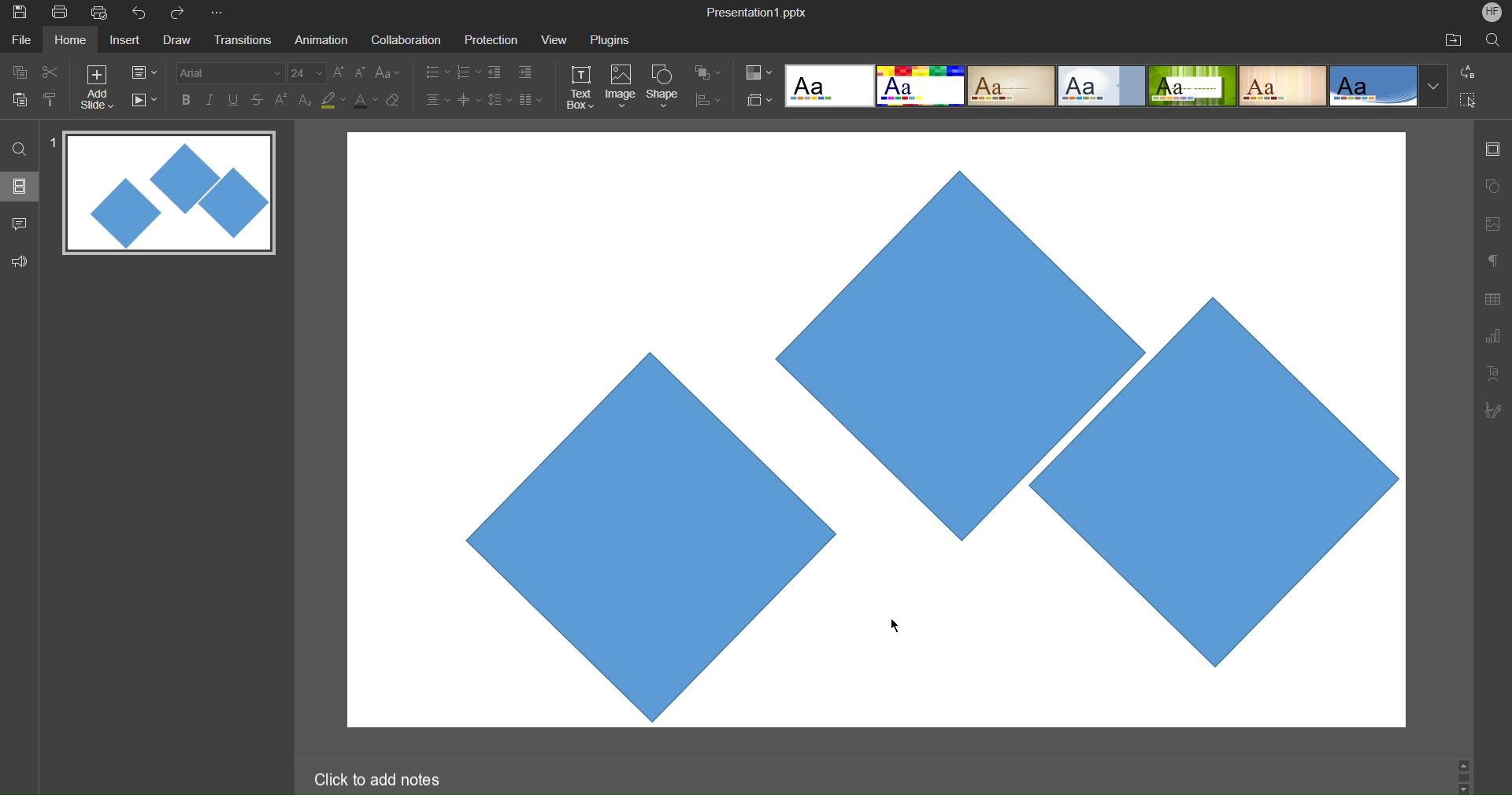  I want to click on copy, so click(17, 72).